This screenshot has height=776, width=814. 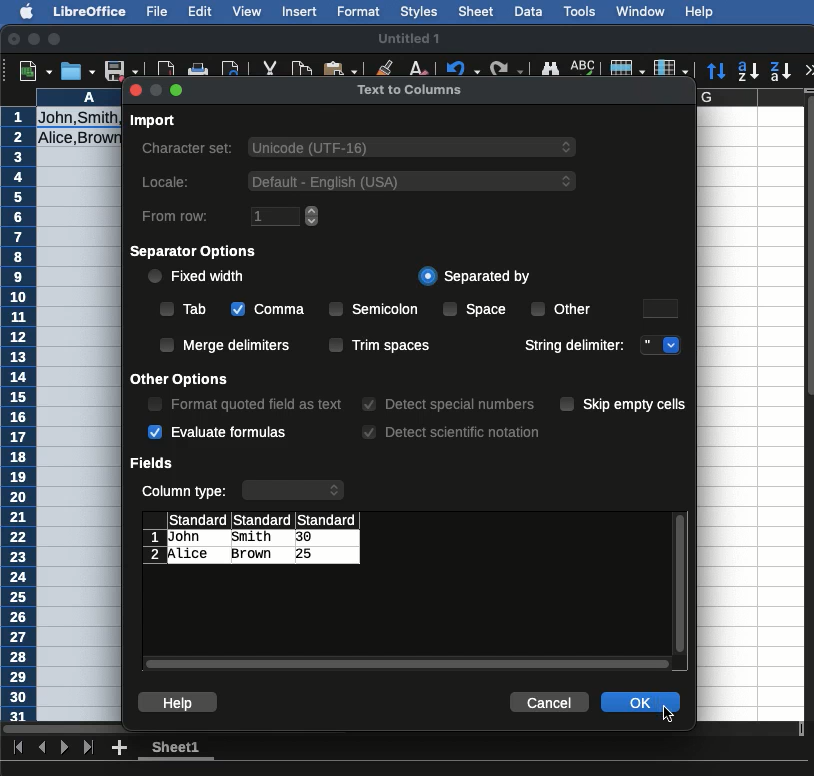 What do you see at coordinates (565, 308) in the screenshot?
I see `Other` at bounding box center [565, 308].